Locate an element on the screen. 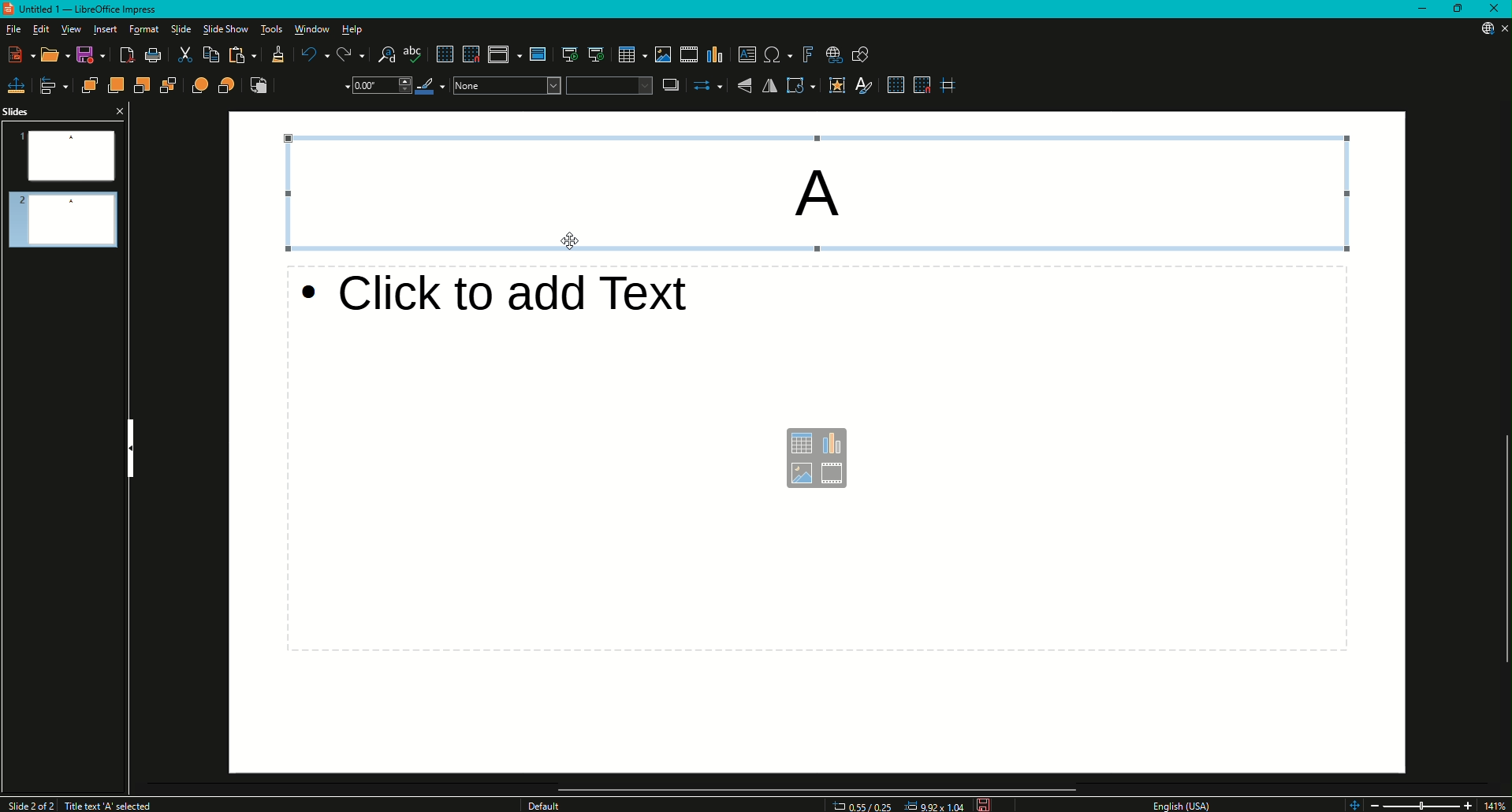 The image size is (1512, 812). Help is located at coordinates (356, 28).